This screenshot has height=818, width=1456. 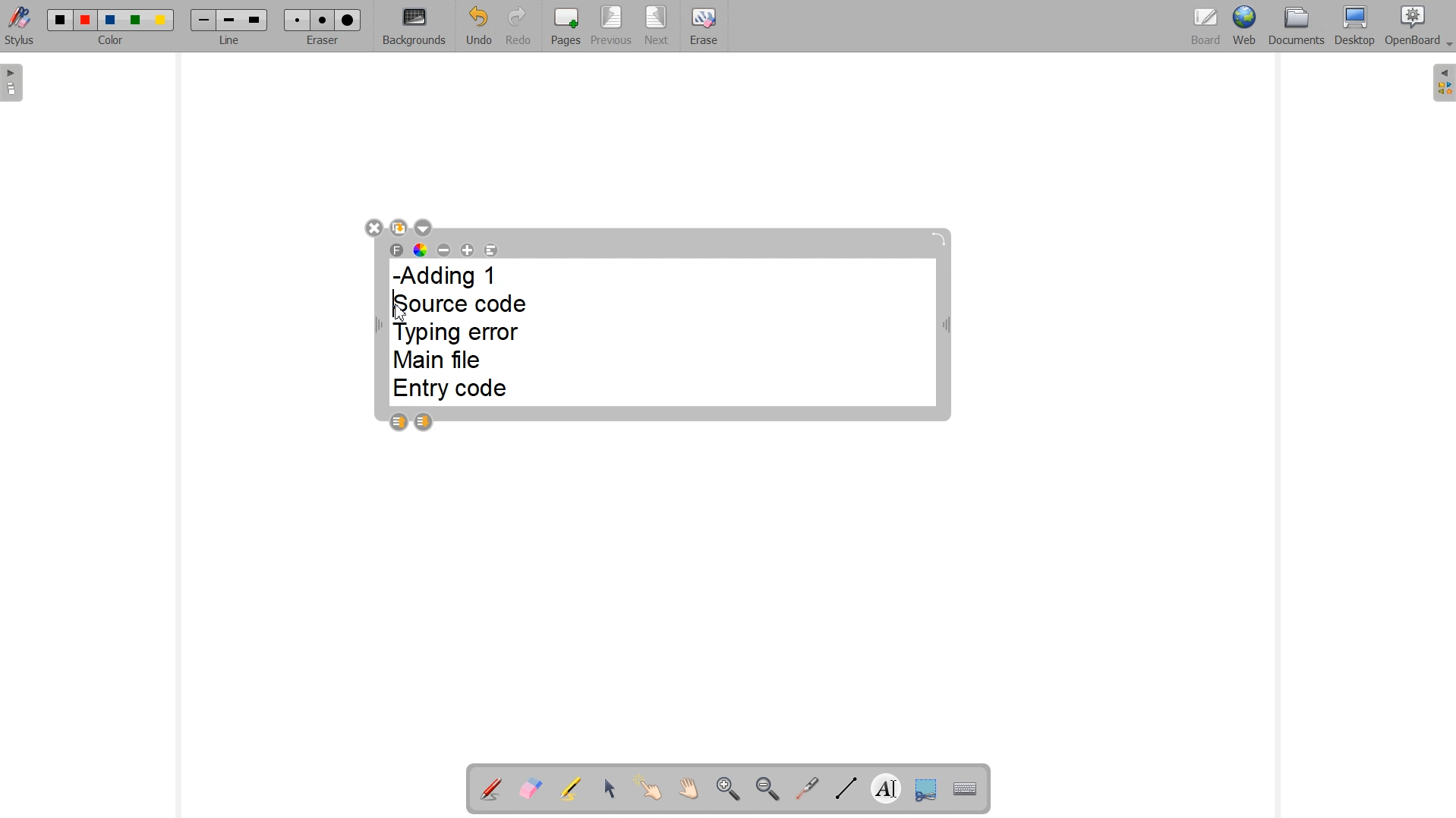 I want to click on Eraser, so click(x=321, y=41).